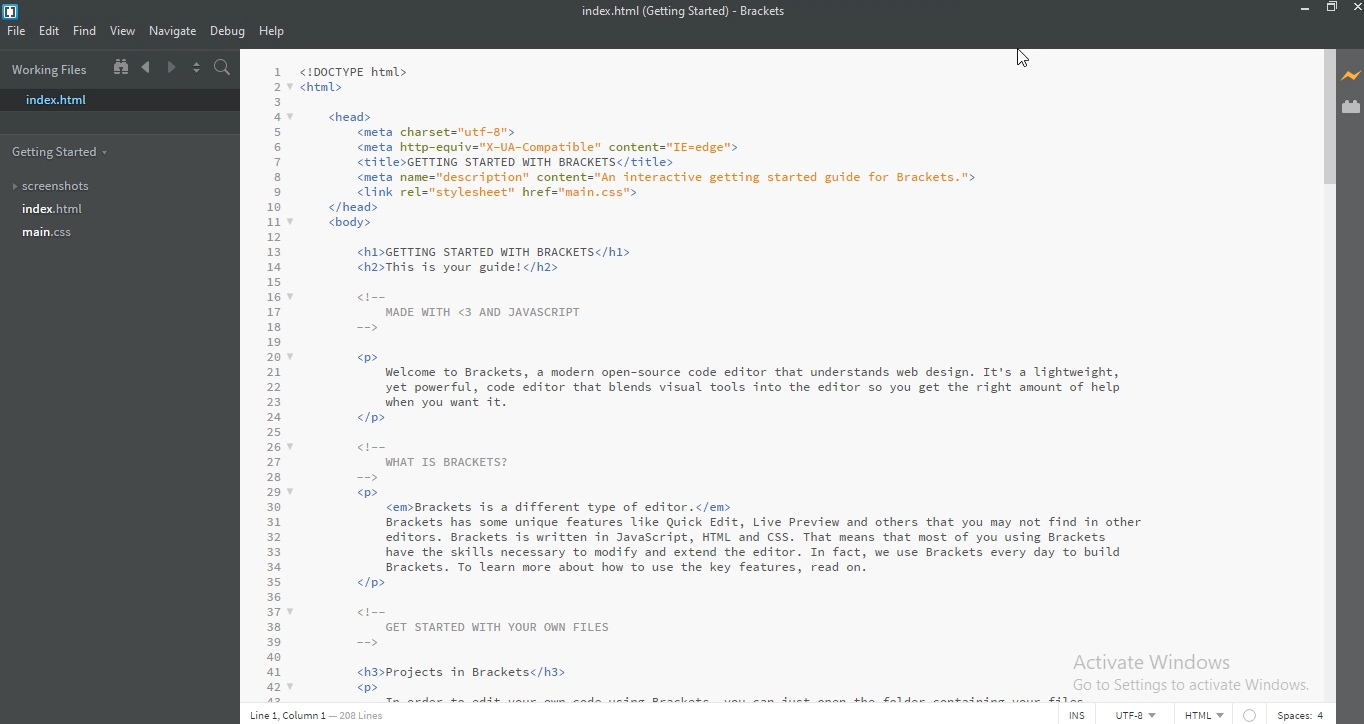 This screenshot has width=1364, height=724. I want to click on cursor, so click(1012, 54).